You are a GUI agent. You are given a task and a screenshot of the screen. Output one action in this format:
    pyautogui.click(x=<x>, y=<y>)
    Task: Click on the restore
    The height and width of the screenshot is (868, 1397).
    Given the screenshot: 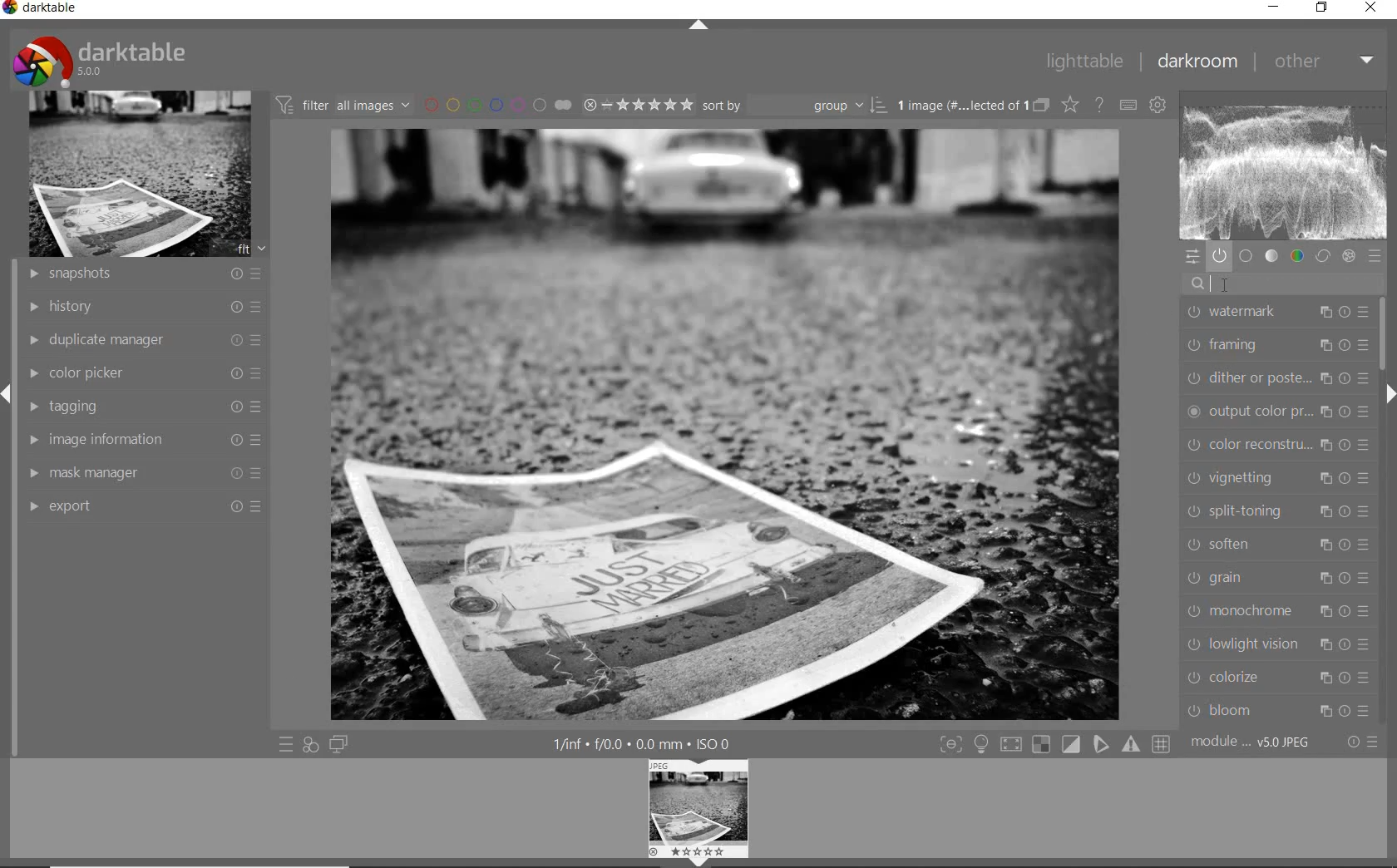 What is the action you would take?
    pyautogui.click(x=1323, y=7)
    